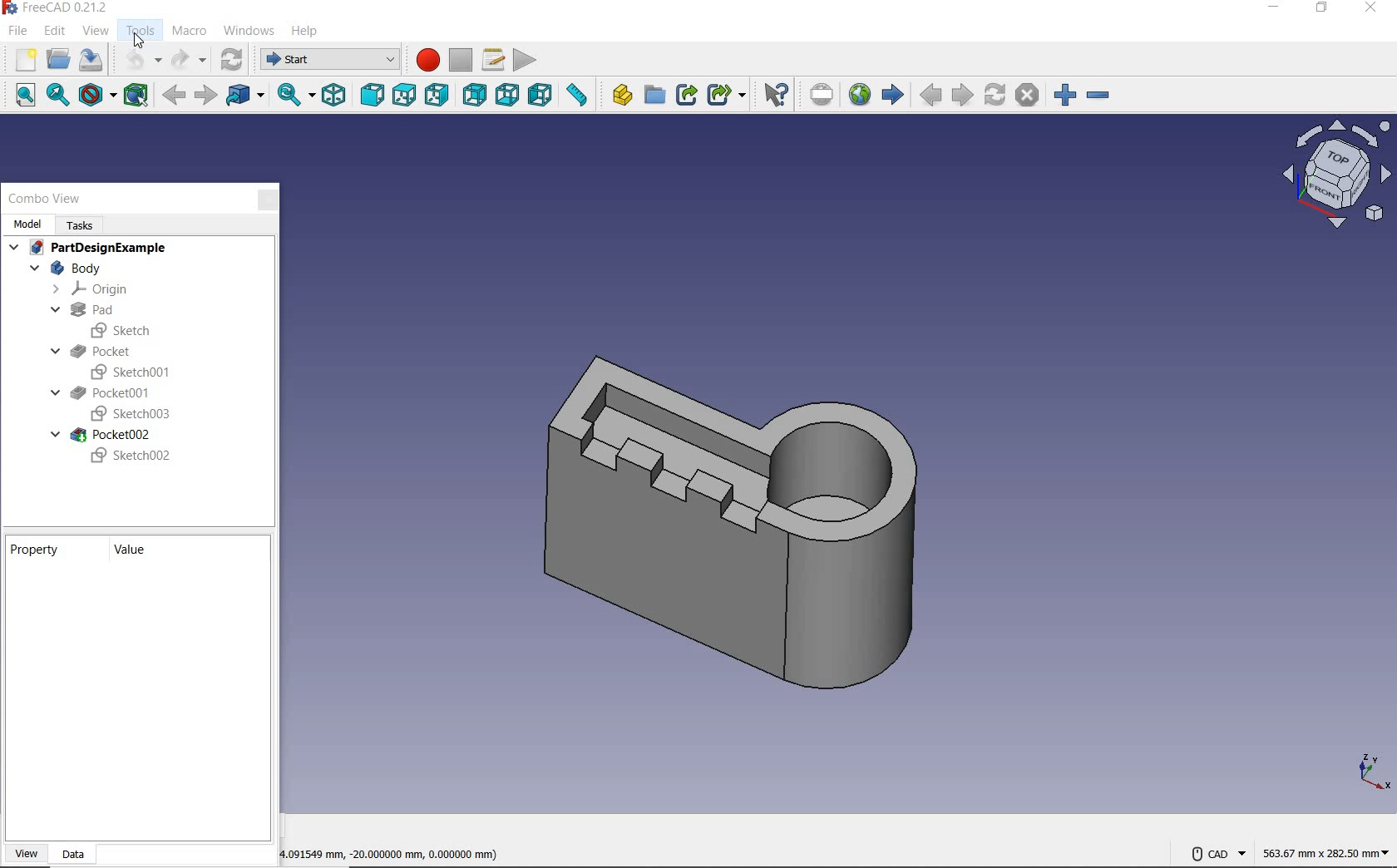 The width and height of the screenshot is (1397, 868). What do you see at coordinates (579, 97) in the screenshot?
I see `Ruler` at bounding box center [579, 97].